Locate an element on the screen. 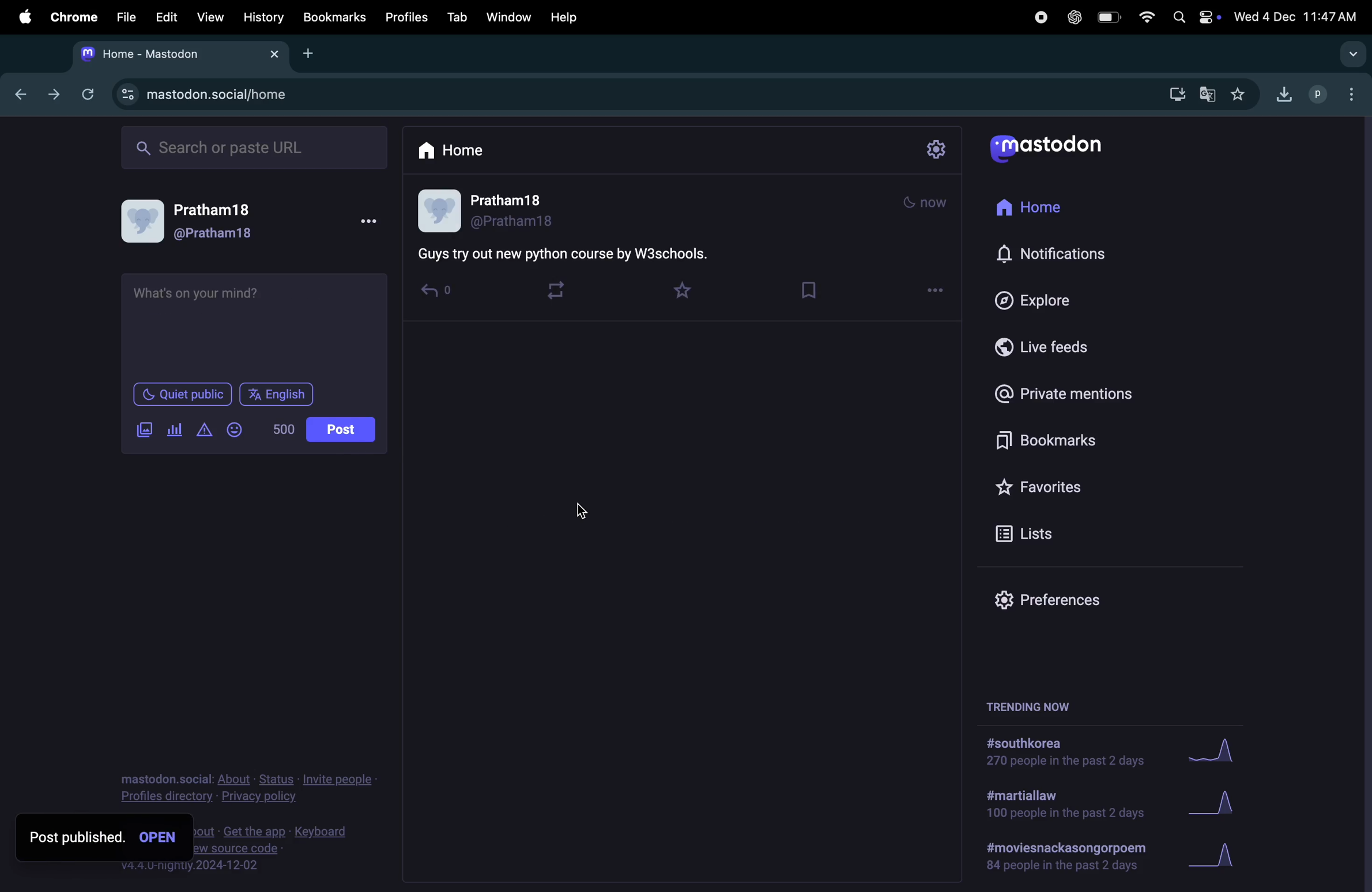  #martiallaw is located at coordinates (1063, 807).